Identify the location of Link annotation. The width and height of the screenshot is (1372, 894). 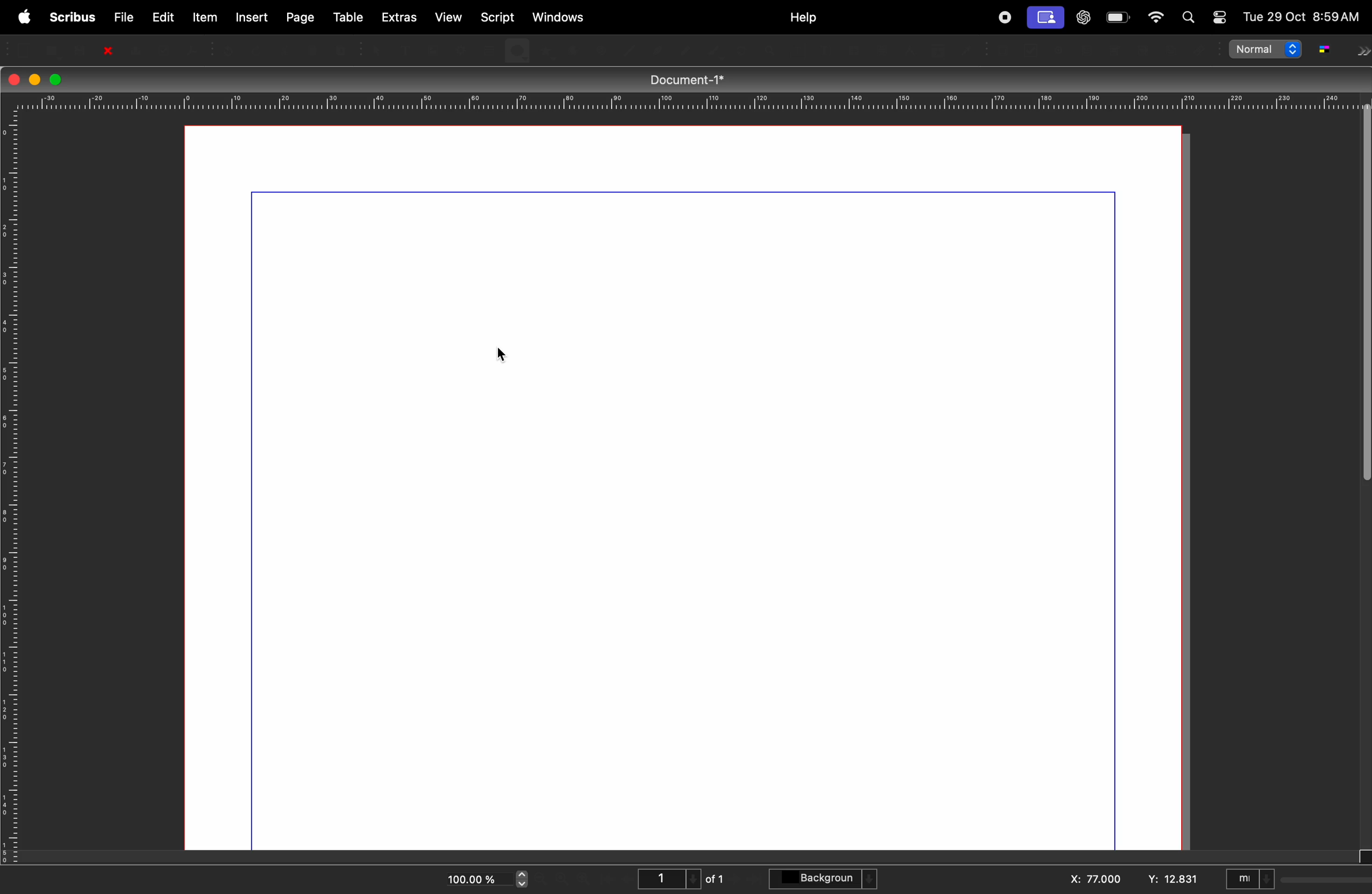
(1198, 50).